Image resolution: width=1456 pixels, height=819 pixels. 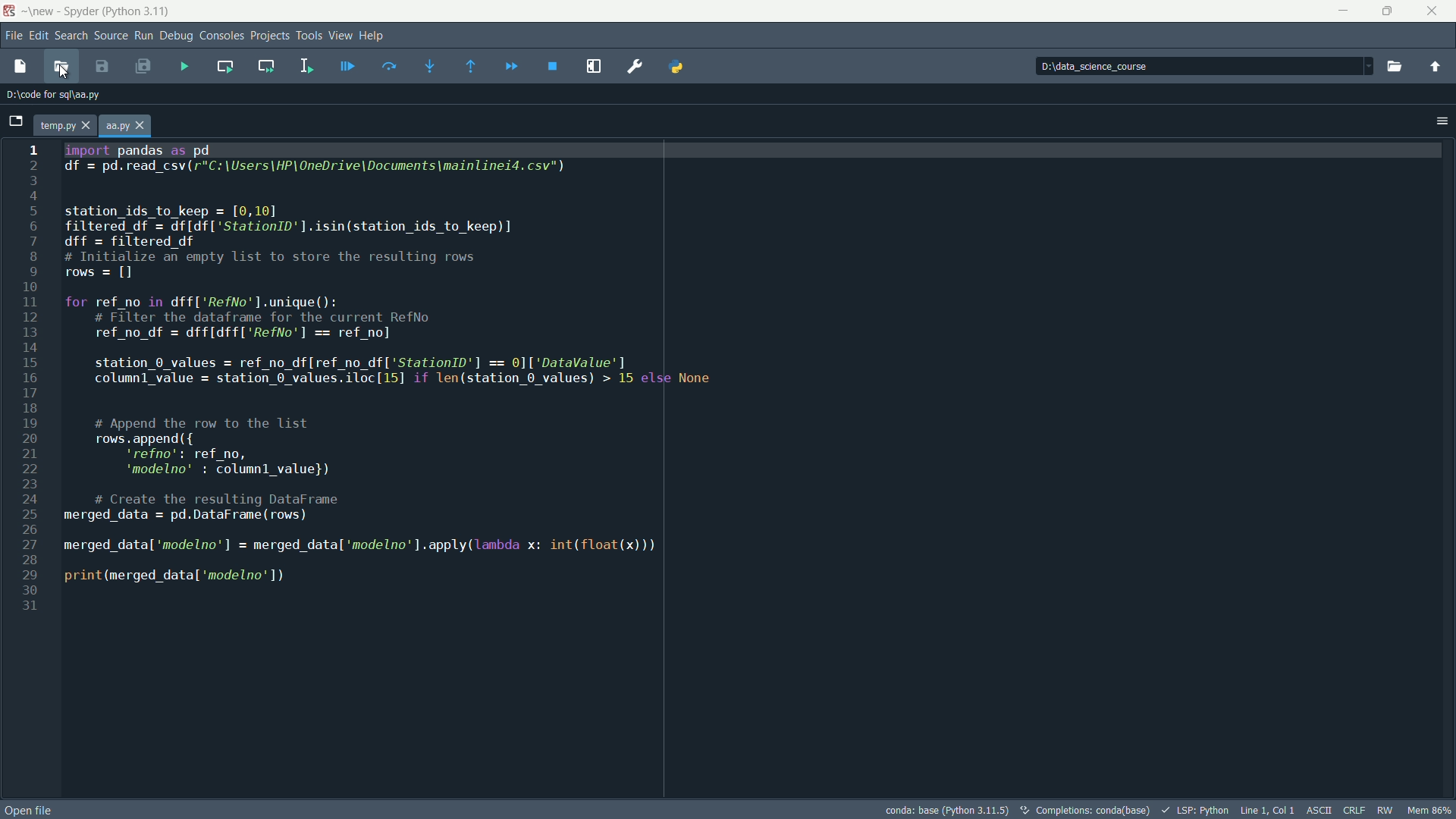 What do you see at coordinates (1196, 810) in the screenshot?
I see `LSP:Python` at bounding box center [1196, 810].